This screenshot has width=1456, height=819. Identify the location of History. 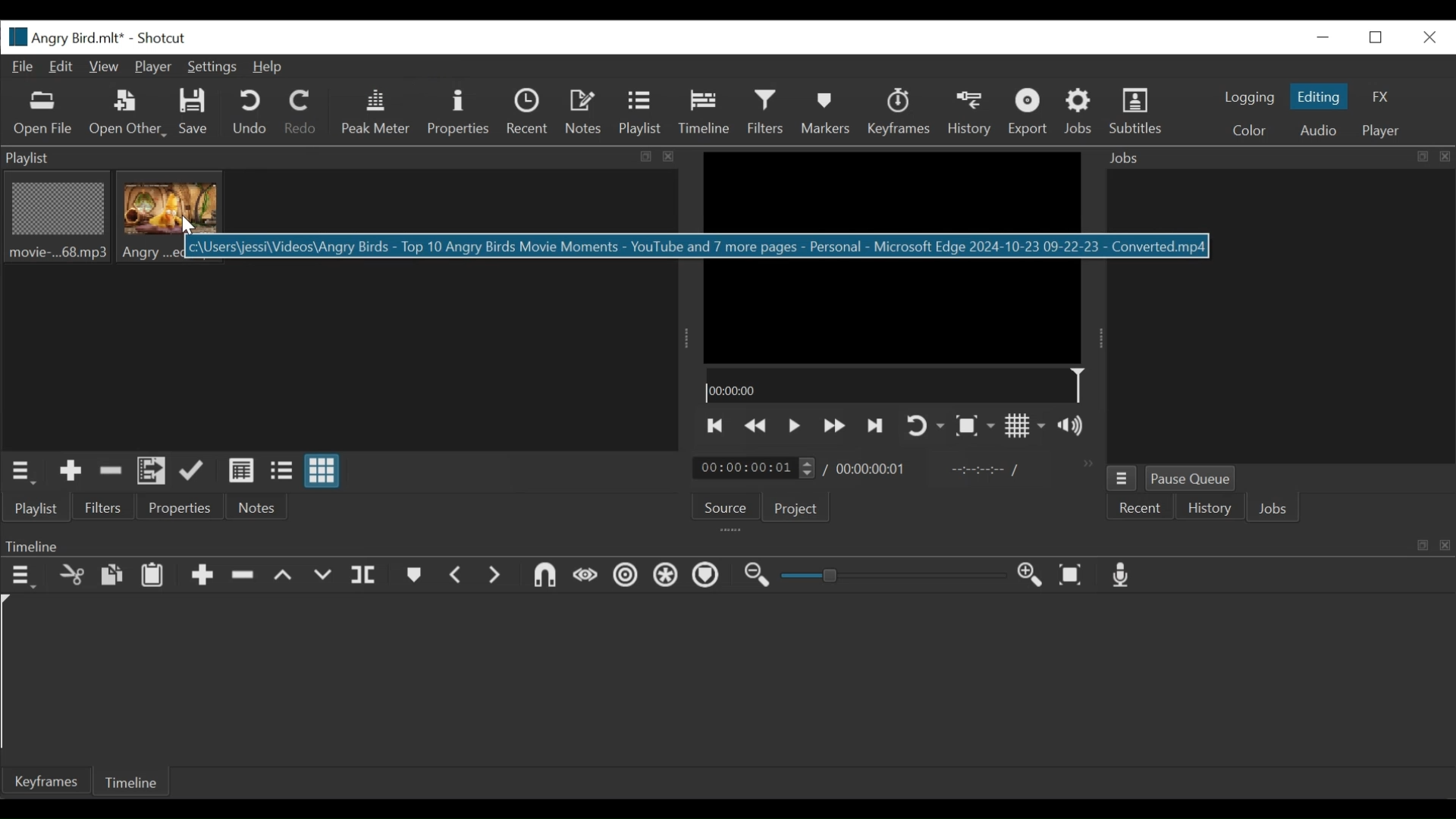
(970, 114).